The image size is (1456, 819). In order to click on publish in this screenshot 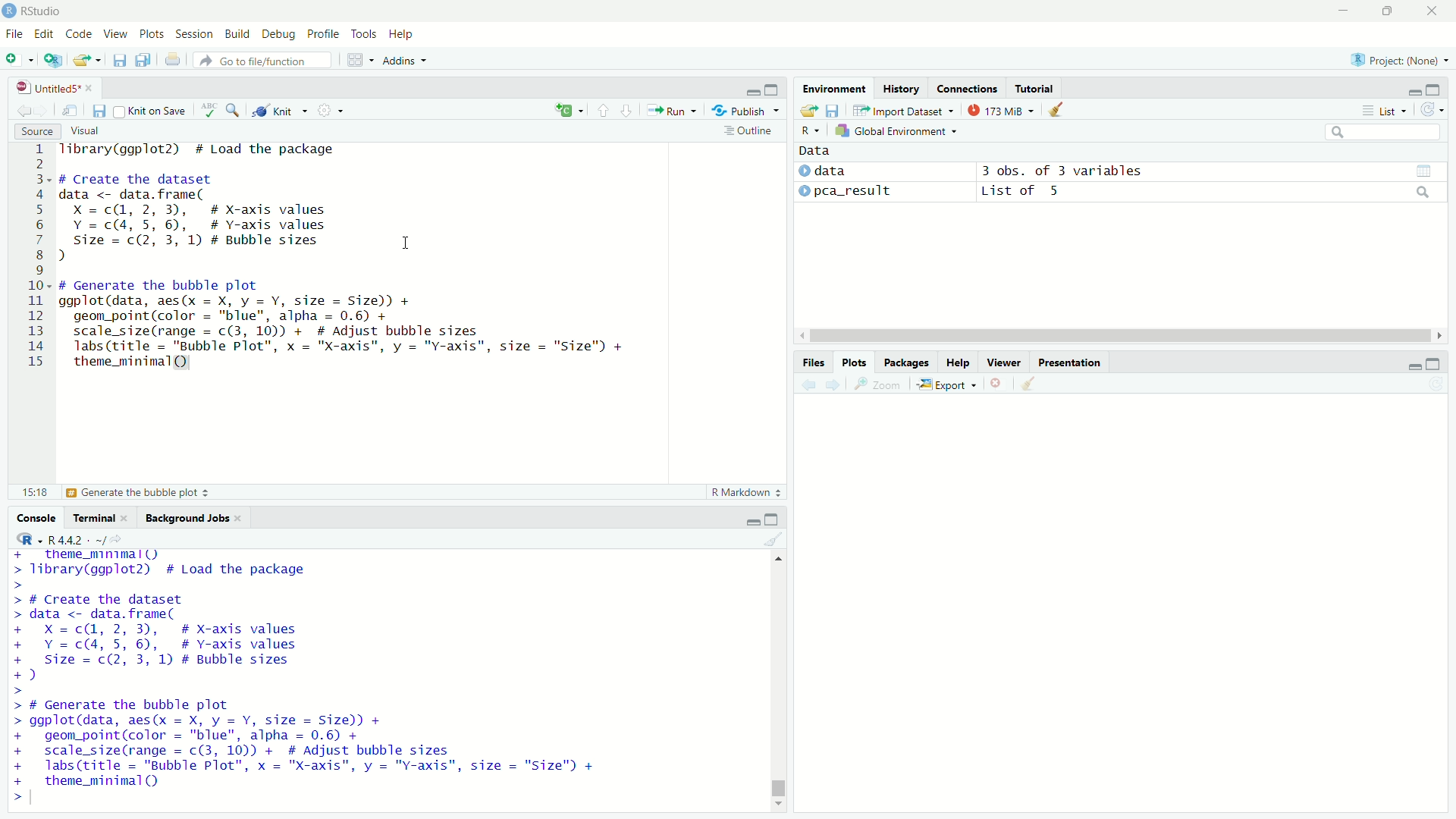, I will do `click(745, 109)`.